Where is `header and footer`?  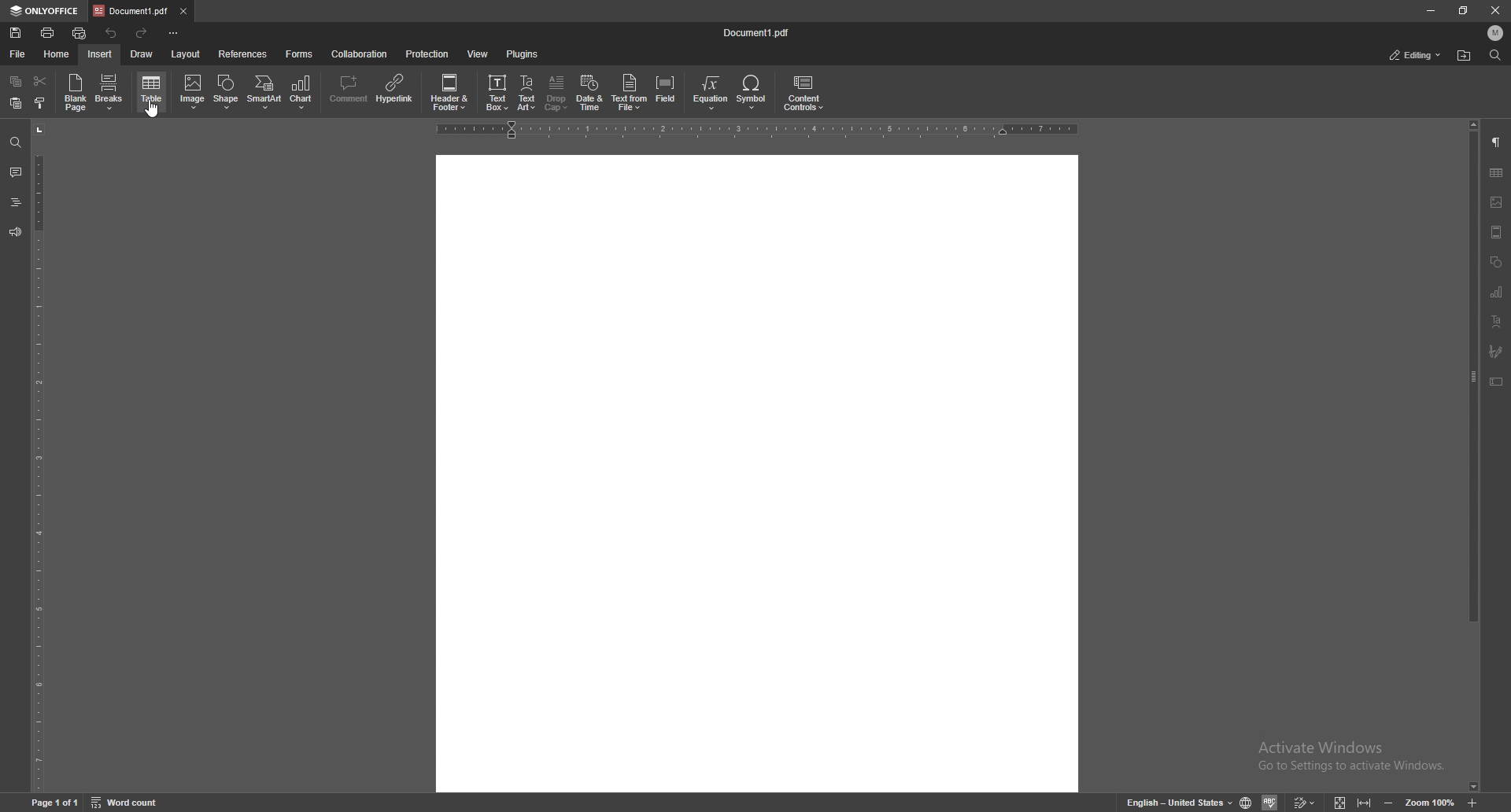 header and footer is located at coordinates (451, 93).